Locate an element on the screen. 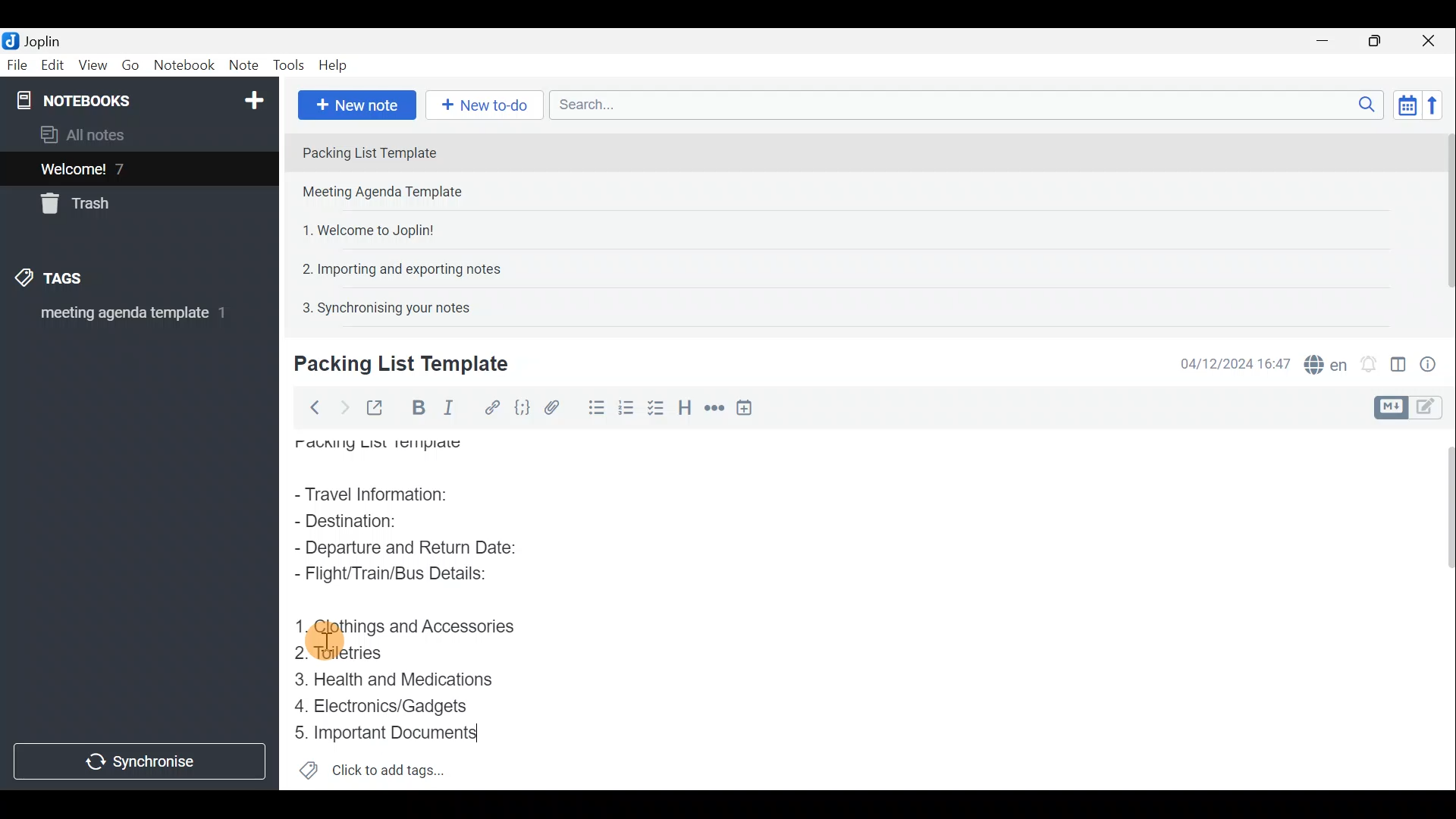  Bulleted list is located at coordinates (591, 410).